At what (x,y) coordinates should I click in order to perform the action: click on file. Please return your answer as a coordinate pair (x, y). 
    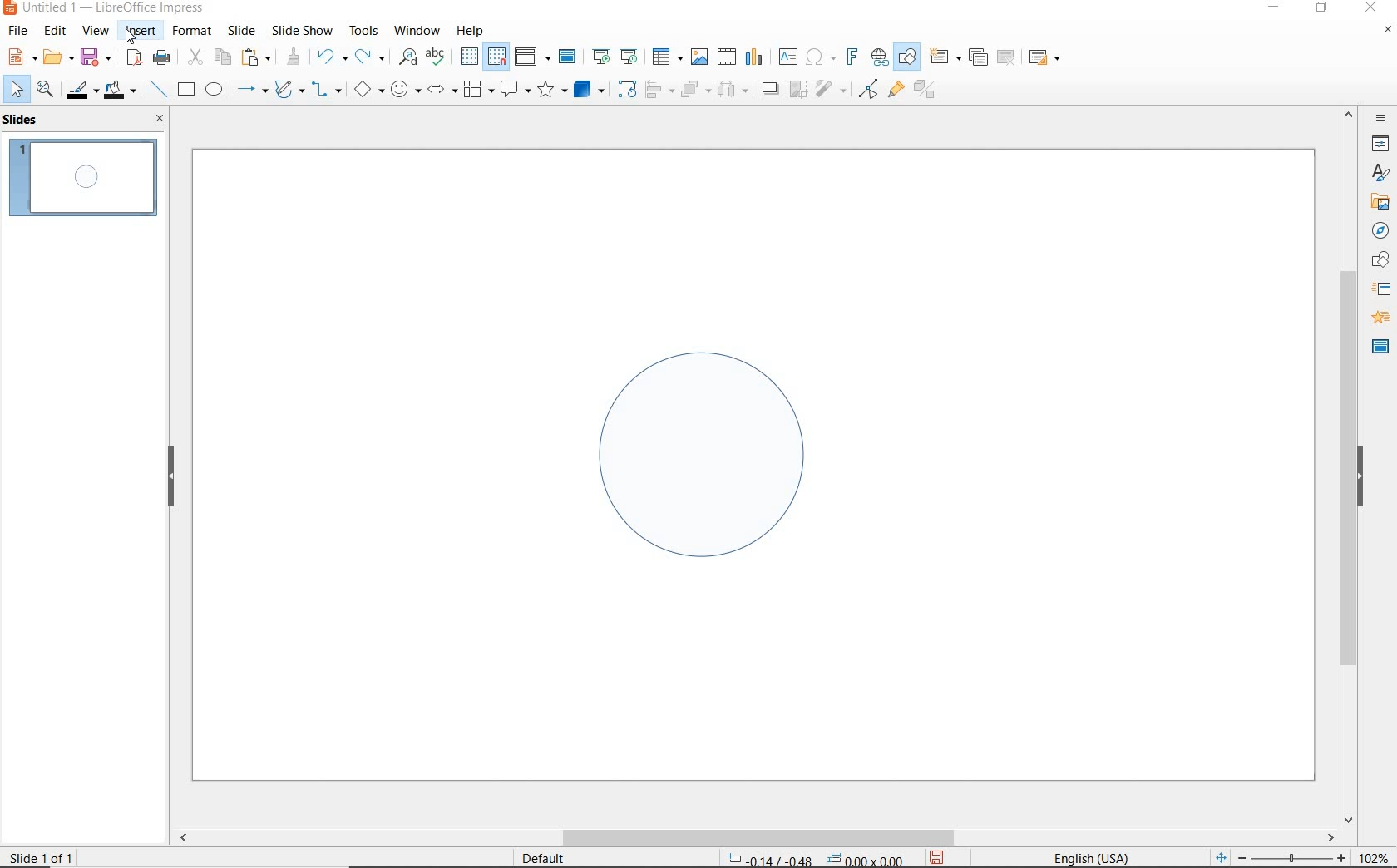
    Looking at the image, I should click on (19, 31).